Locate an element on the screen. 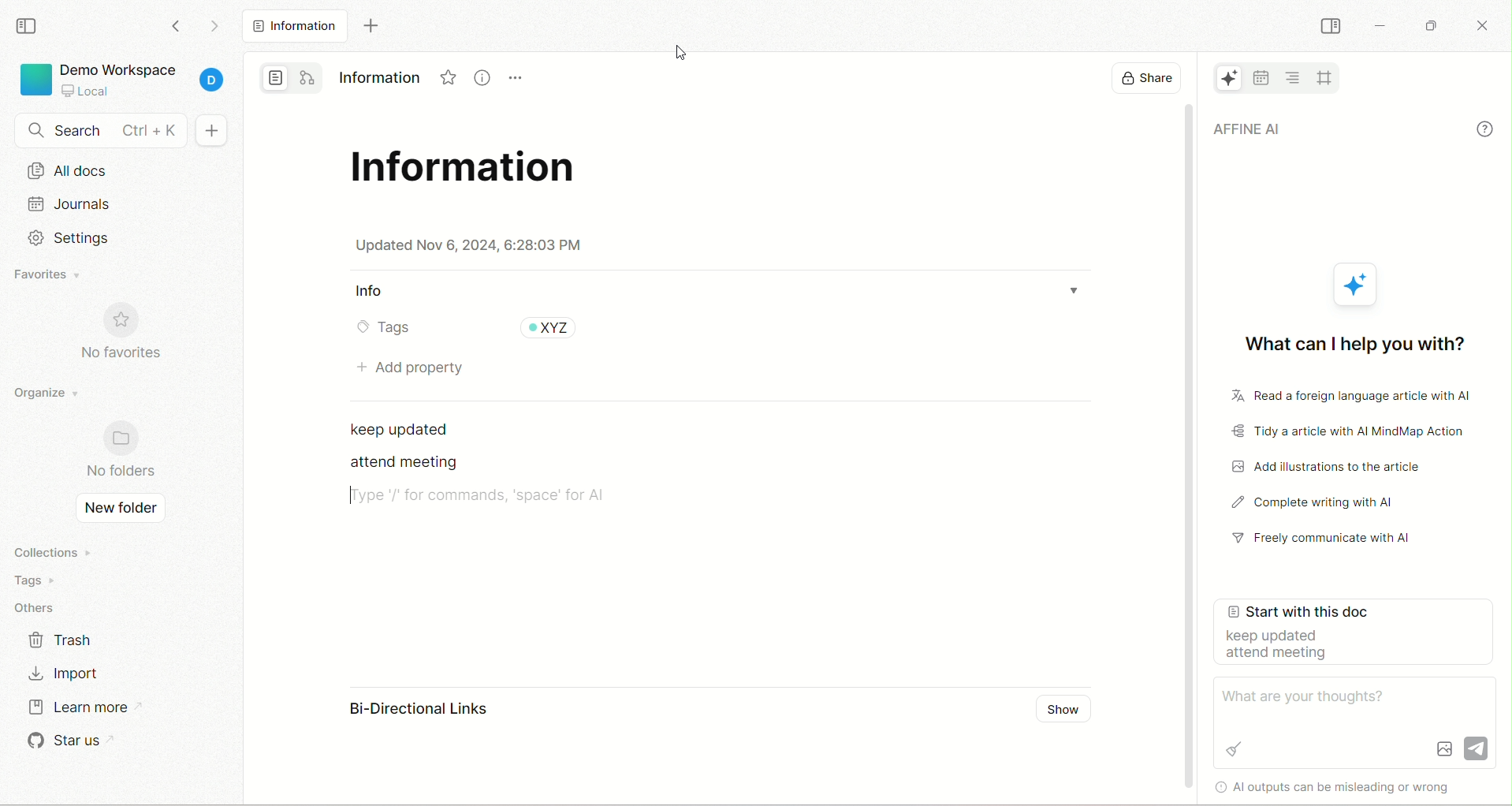 The height and width of the screenshot is (806, 1512). tags is located at coordinates (382, 329).